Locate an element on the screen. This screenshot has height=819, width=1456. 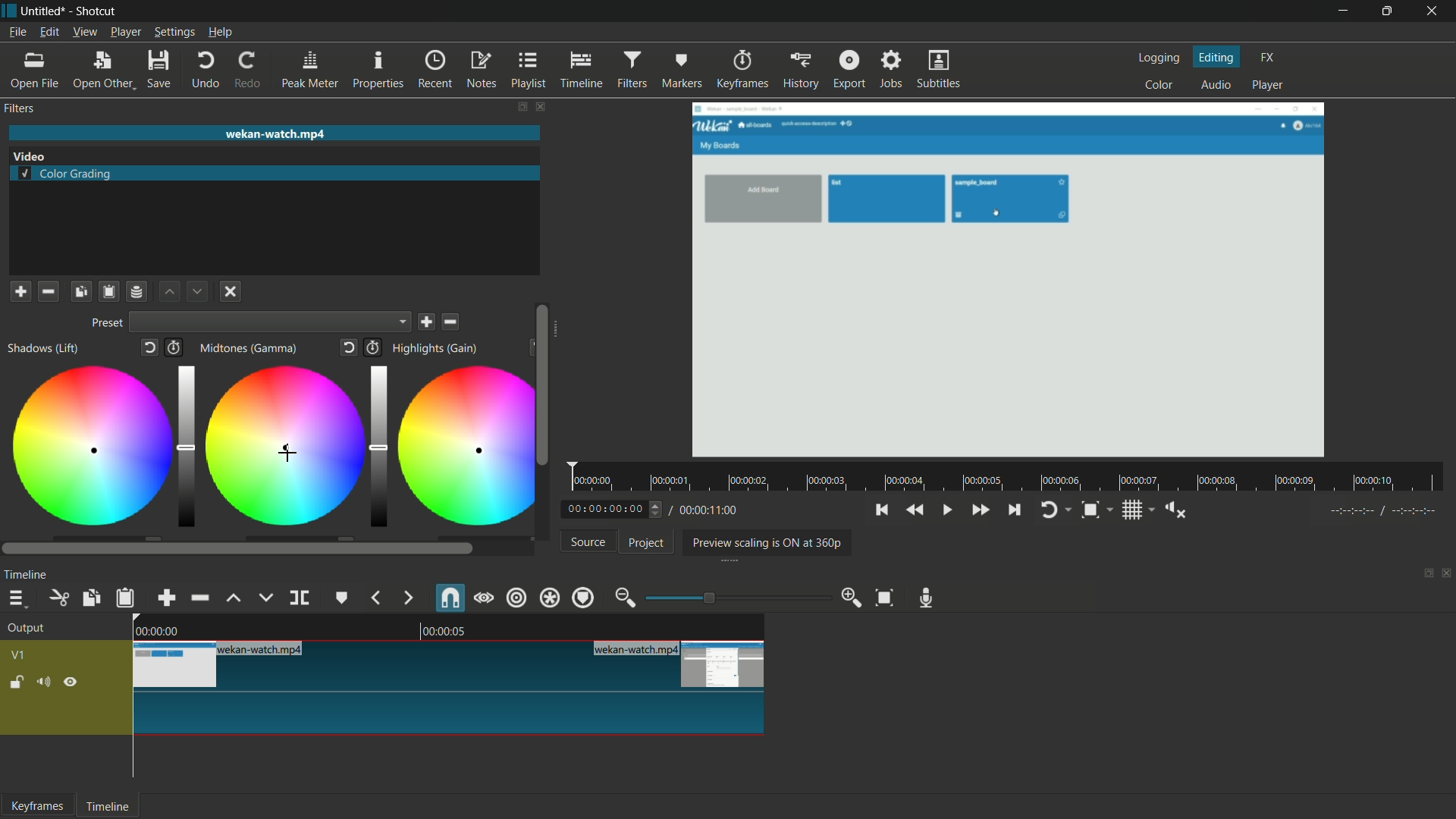
project is located at coordinates (644, 543).